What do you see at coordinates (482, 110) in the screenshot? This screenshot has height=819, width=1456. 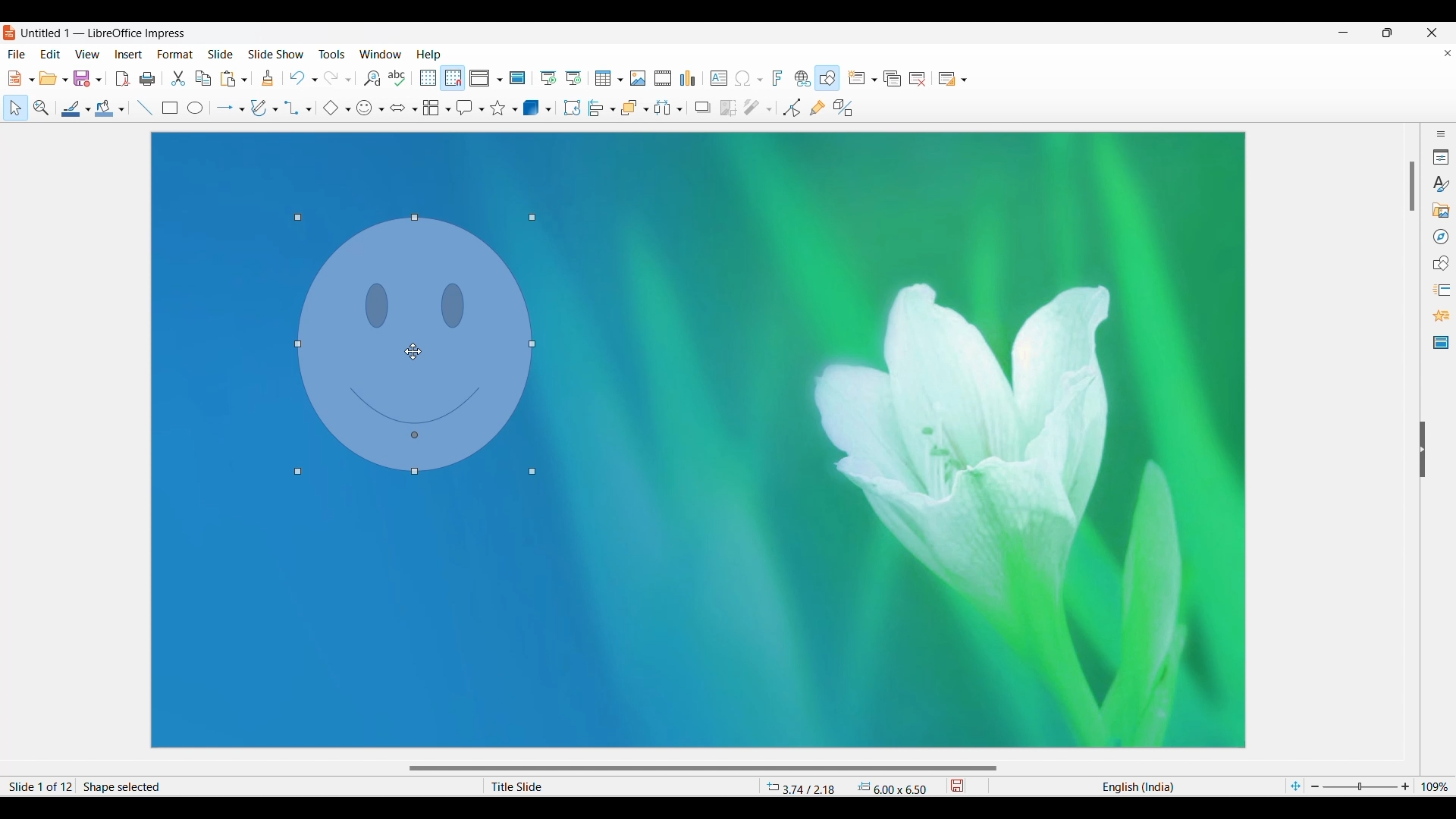 I see `Callout shape options` at bounding box center [482, 110].